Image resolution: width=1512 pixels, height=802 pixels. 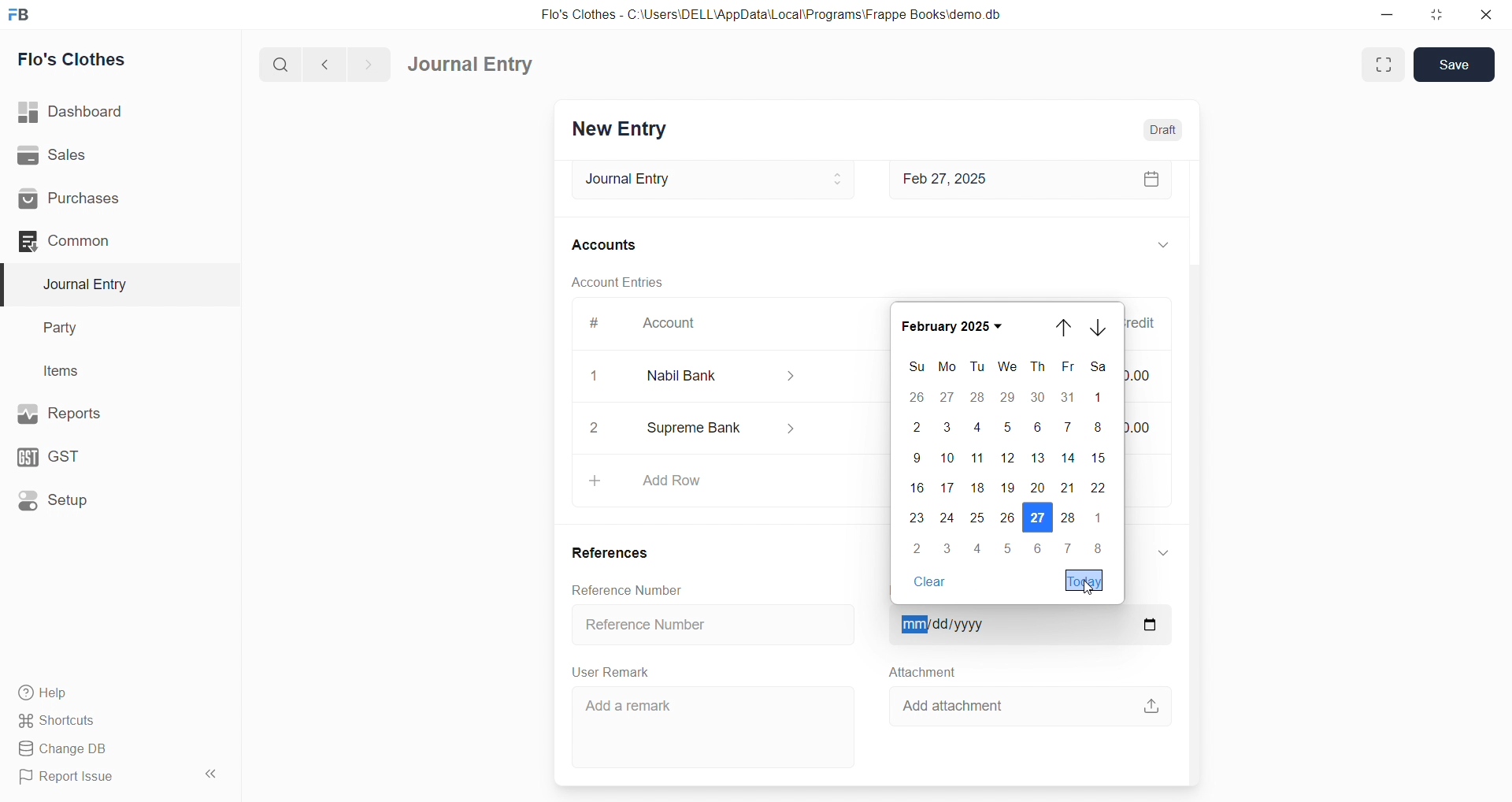 What do you see at coordinates (627, 589) in the screenshot?
I see `Reference Number` at bounding box center [627, 589].